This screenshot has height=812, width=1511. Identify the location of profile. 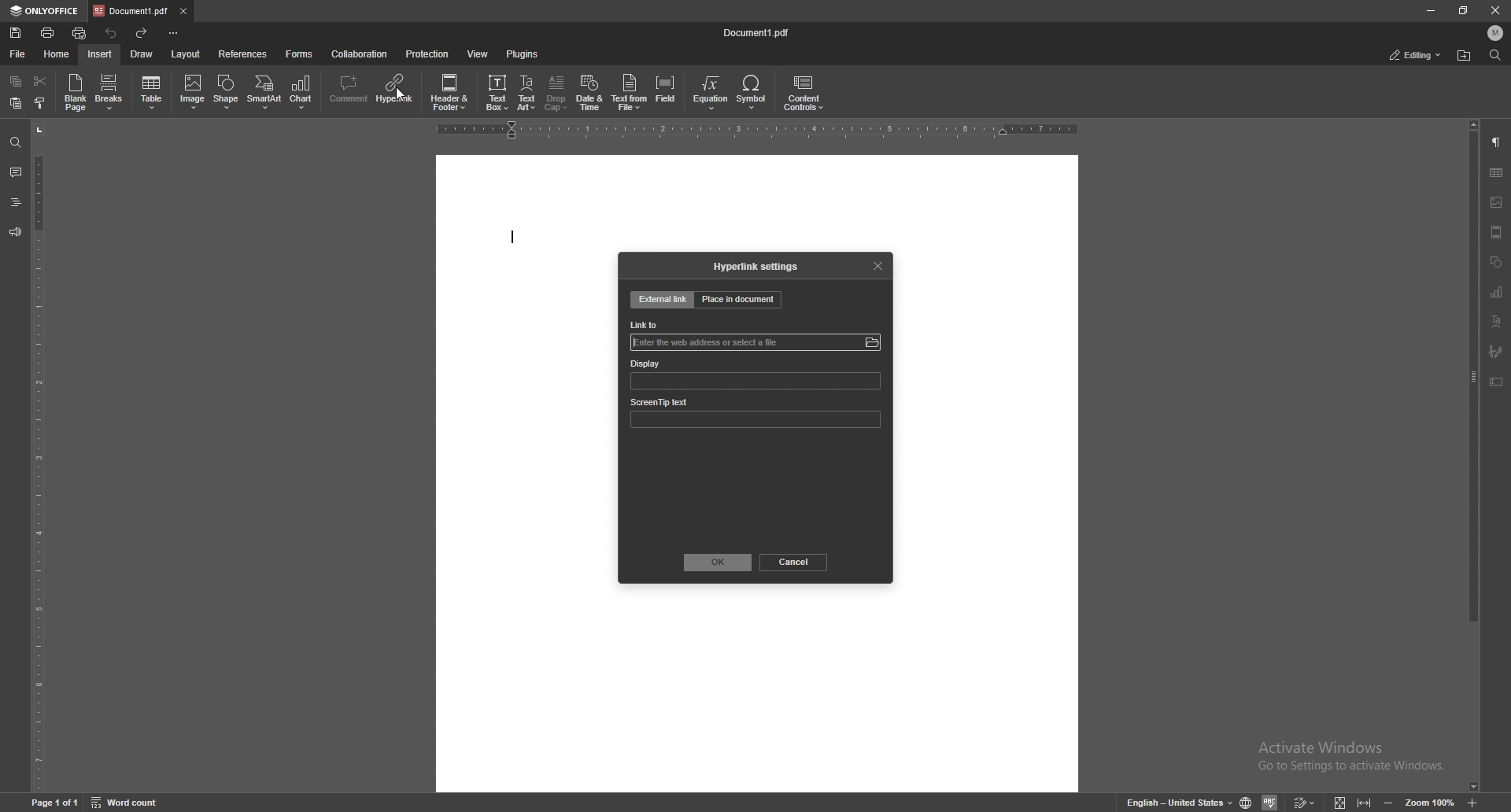
(1496, 32).